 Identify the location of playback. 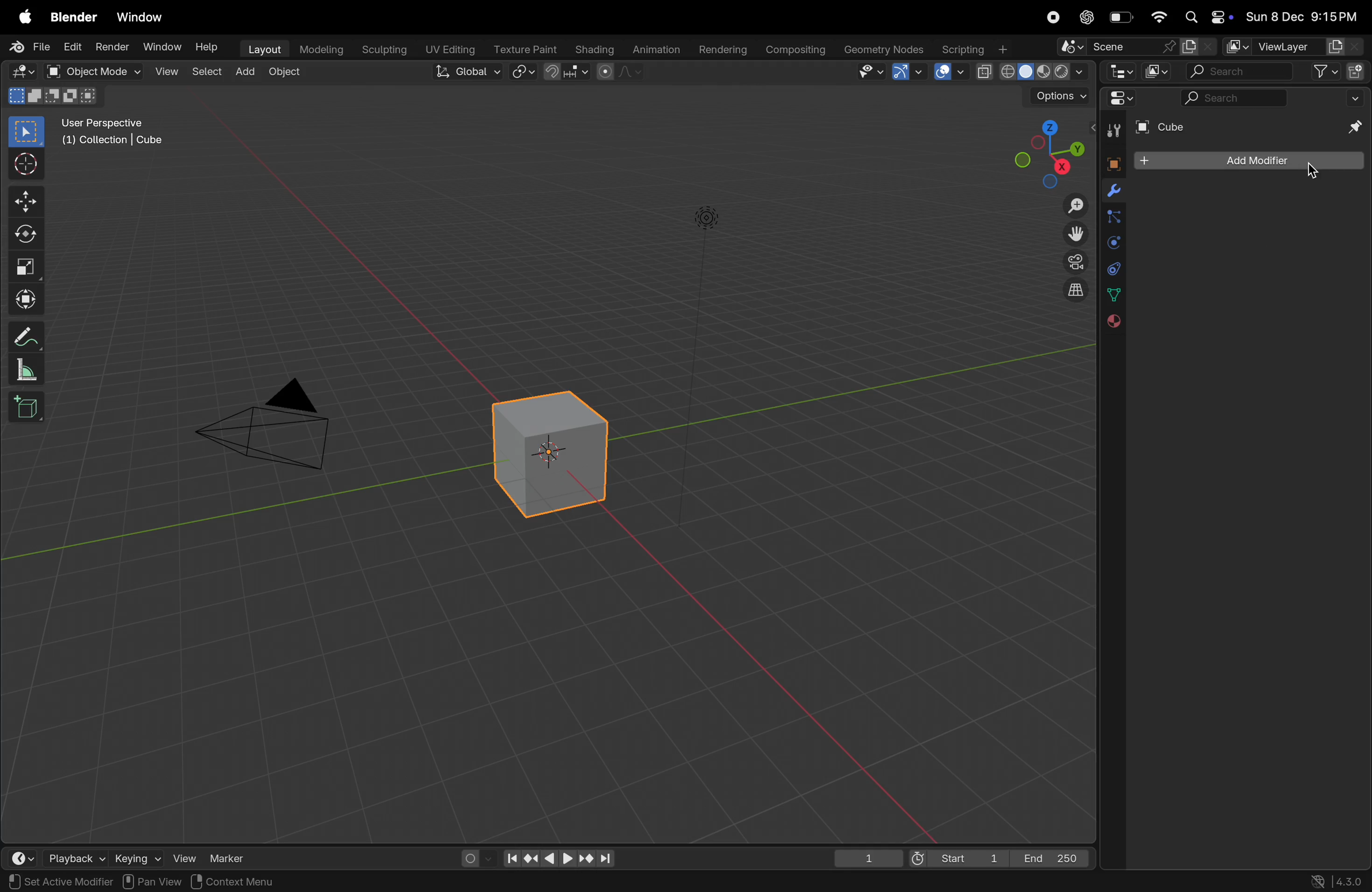
(75, 857).